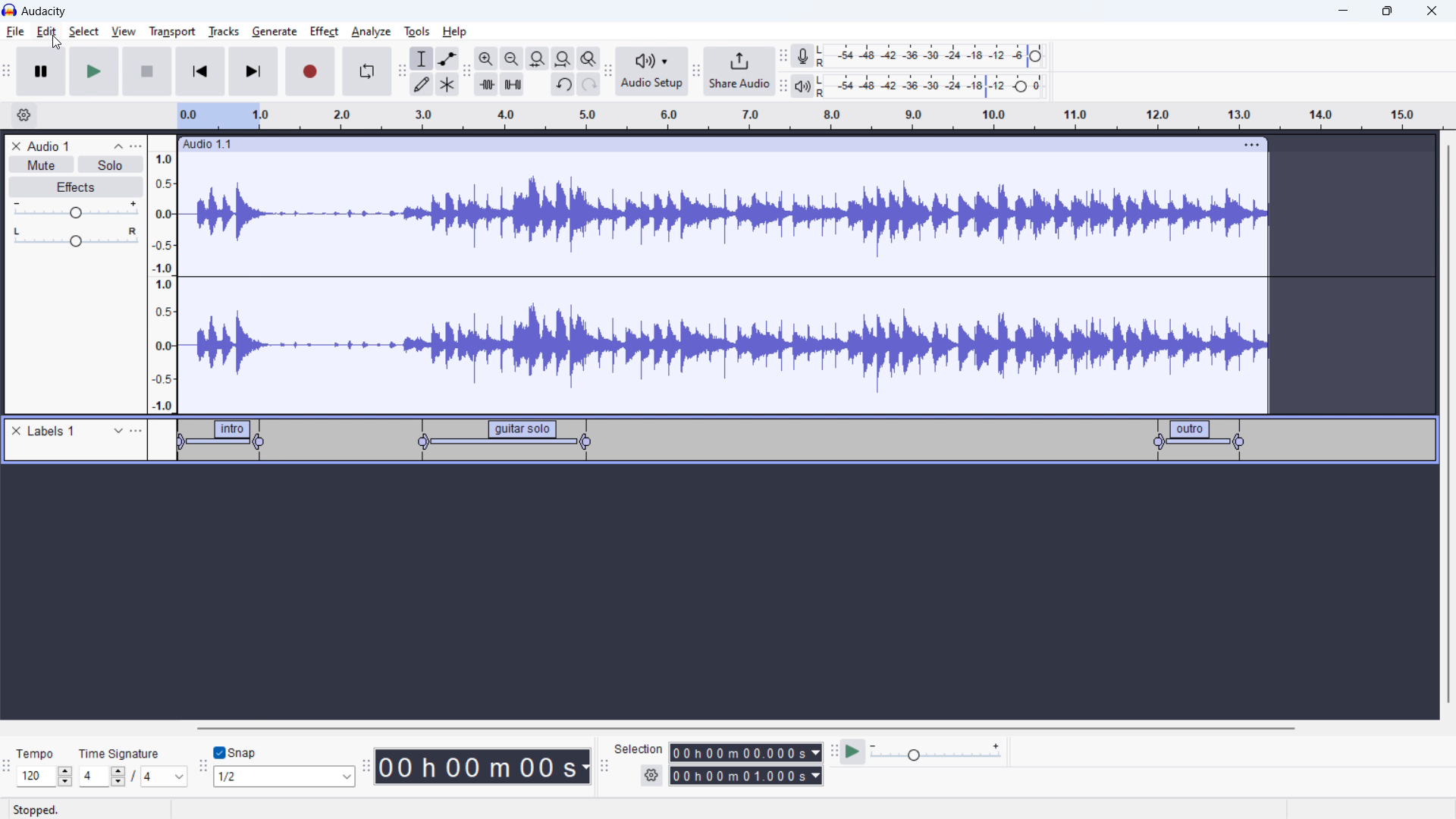 The image size is (1456, 819). What do you see at coordinates (47, 11) in the screenshot?
I see `Audacity` at bounding box center [47, 11].